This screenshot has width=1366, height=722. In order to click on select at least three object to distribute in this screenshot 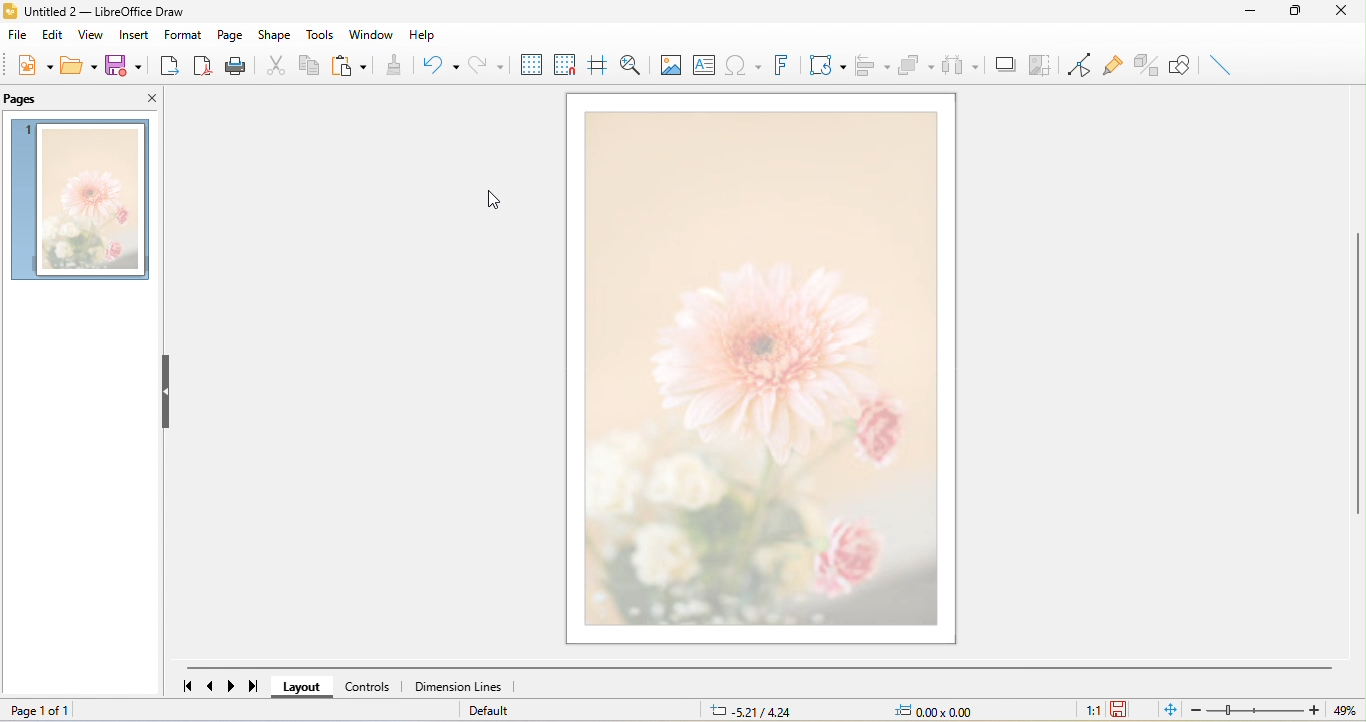, I will do `click(959, 63)`.